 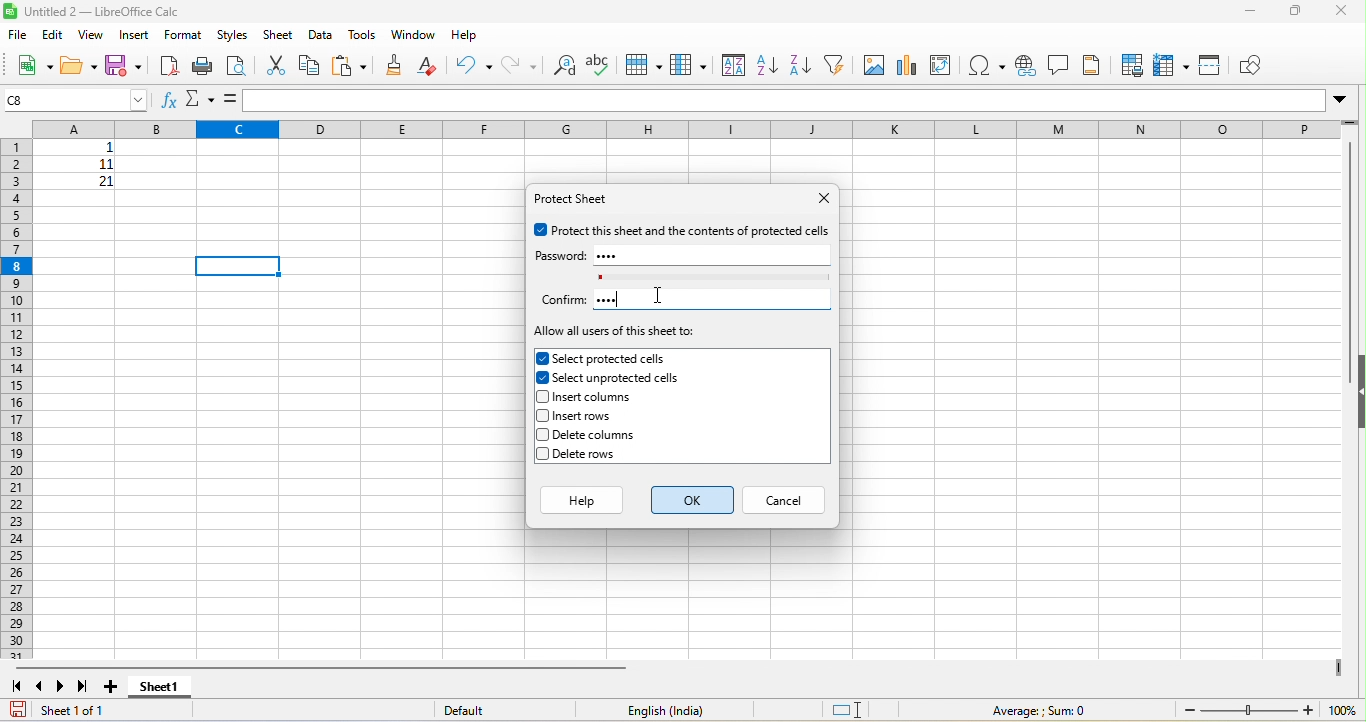 What do you see at coordinates (1351, 125) in the screenshot?
I see `drag to view more rows` at bounding box center [1351, 125].